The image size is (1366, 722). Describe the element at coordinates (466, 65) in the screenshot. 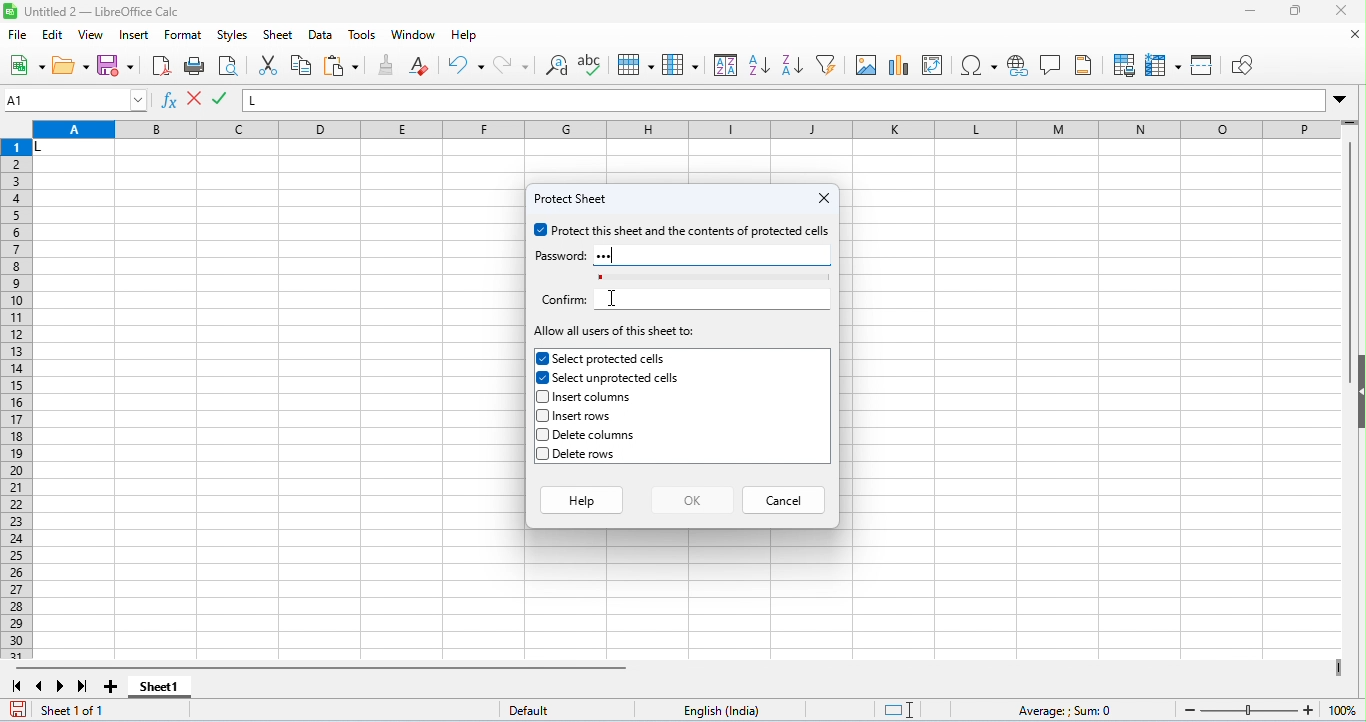

I see `undo ` at that location.